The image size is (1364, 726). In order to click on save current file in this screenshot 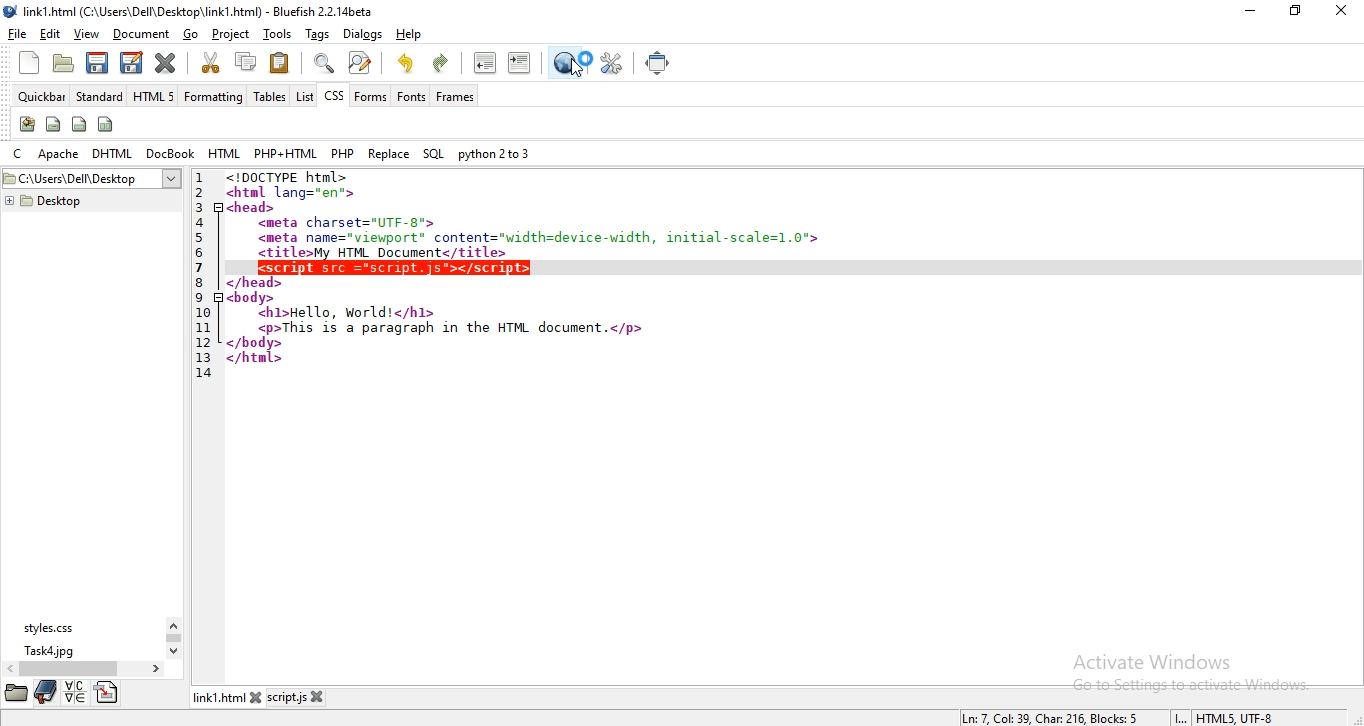, I will do `click(96, 64)`.